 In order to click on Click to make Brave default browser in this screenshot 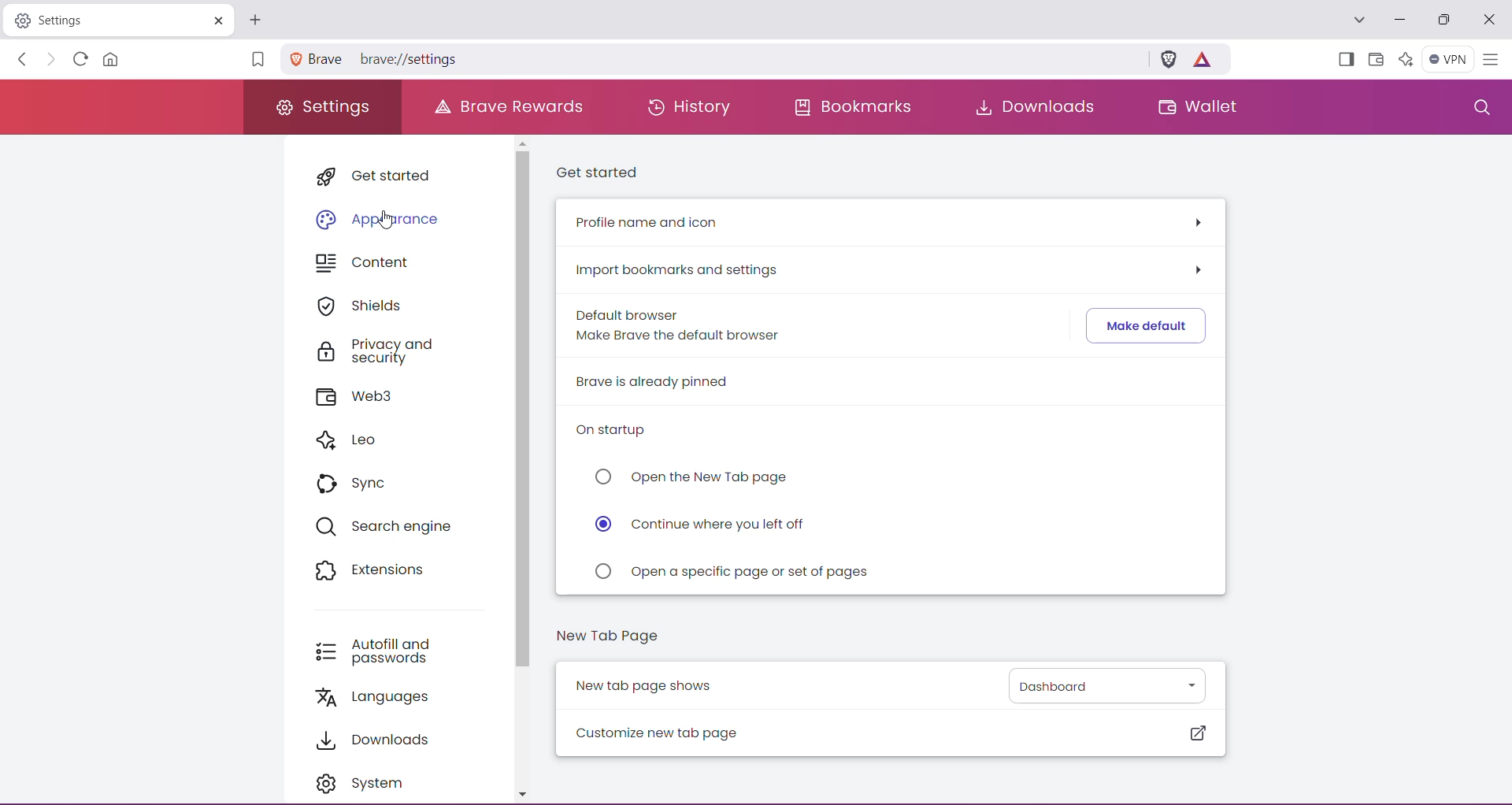, I will do `click(1144, 327)`.